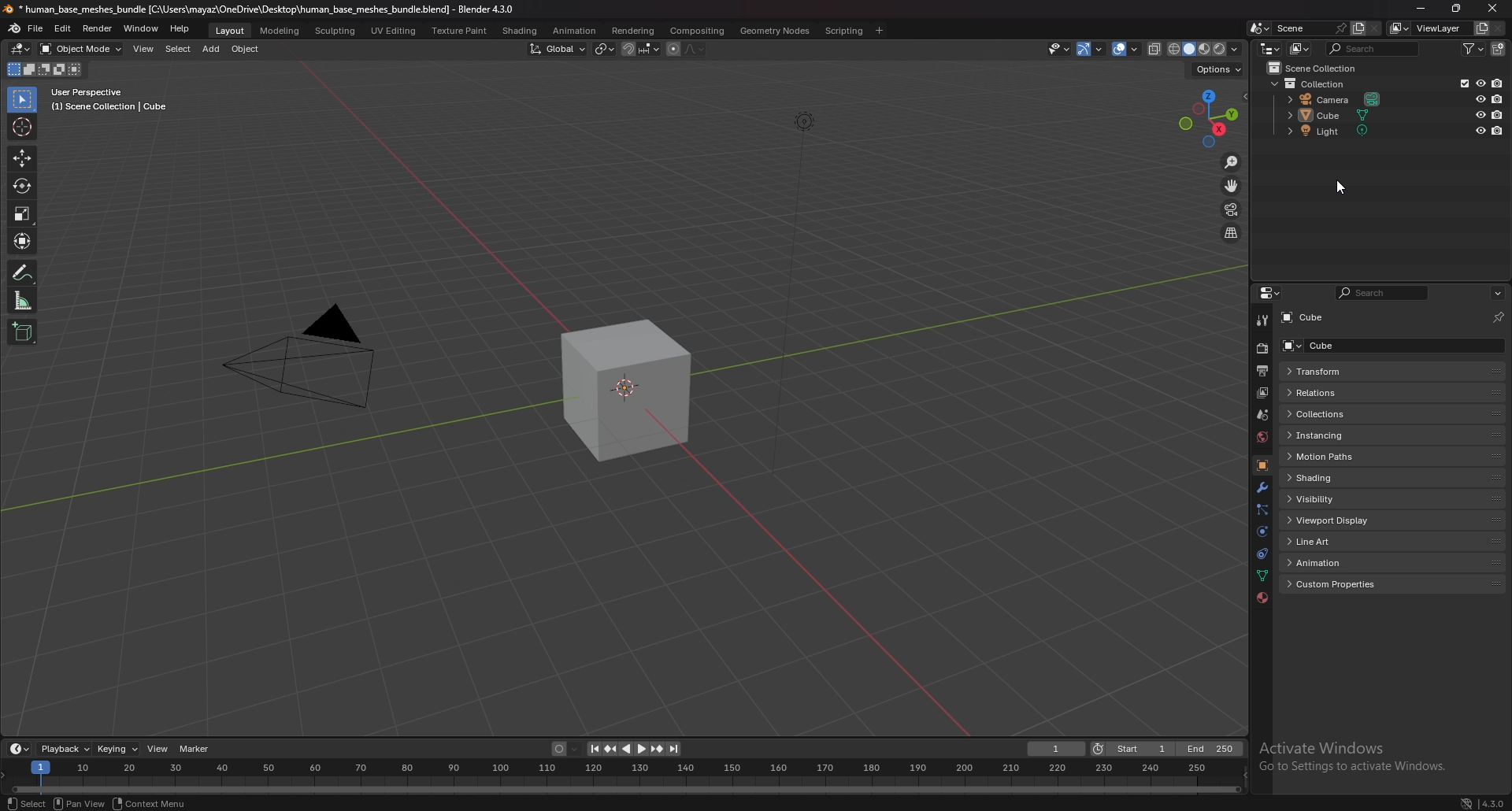 The image size is (1512, 811). I want to click on close, so click(1493, 9).